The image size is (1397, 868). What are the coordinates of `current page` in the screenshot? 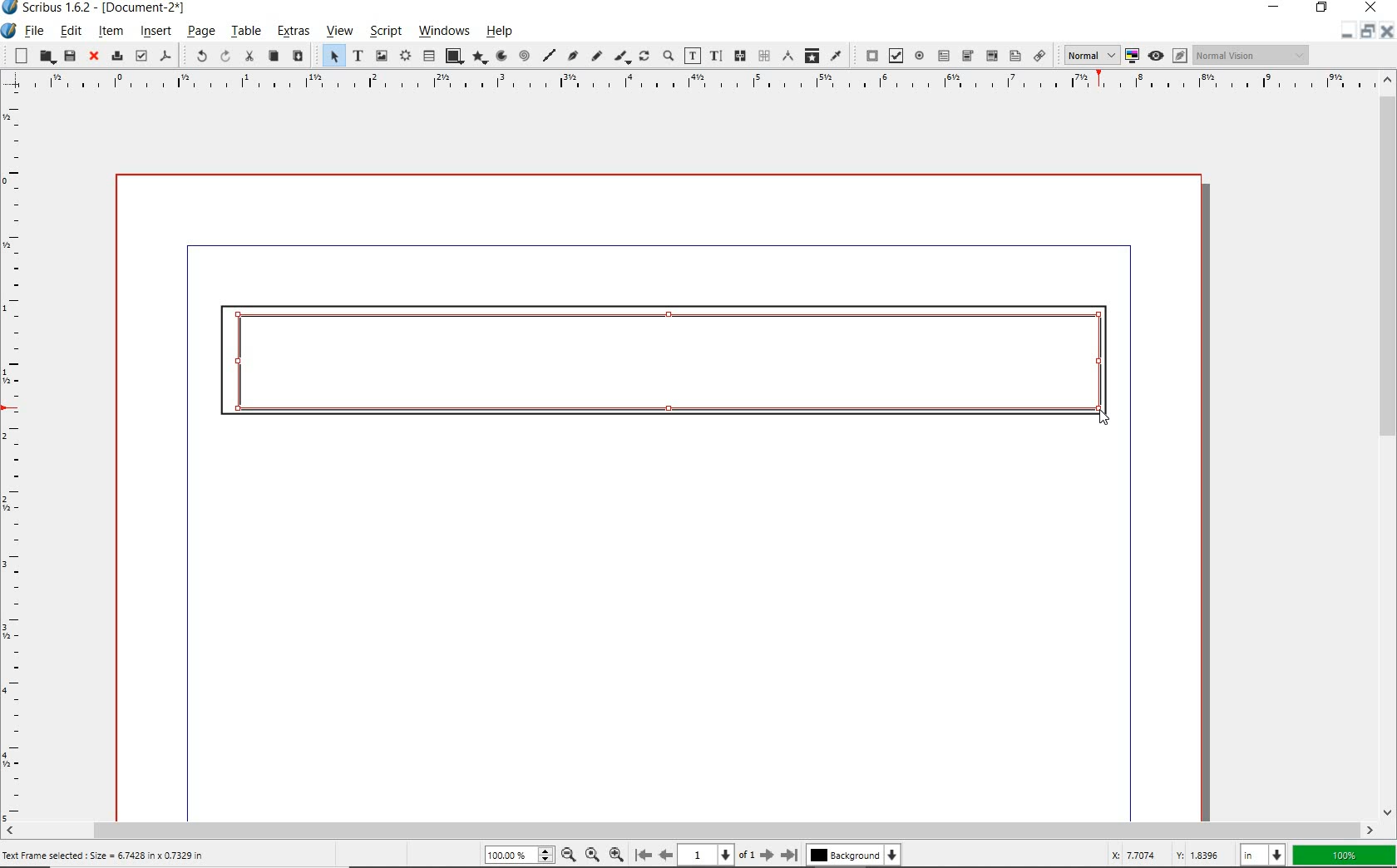 It's located at (717, 855).